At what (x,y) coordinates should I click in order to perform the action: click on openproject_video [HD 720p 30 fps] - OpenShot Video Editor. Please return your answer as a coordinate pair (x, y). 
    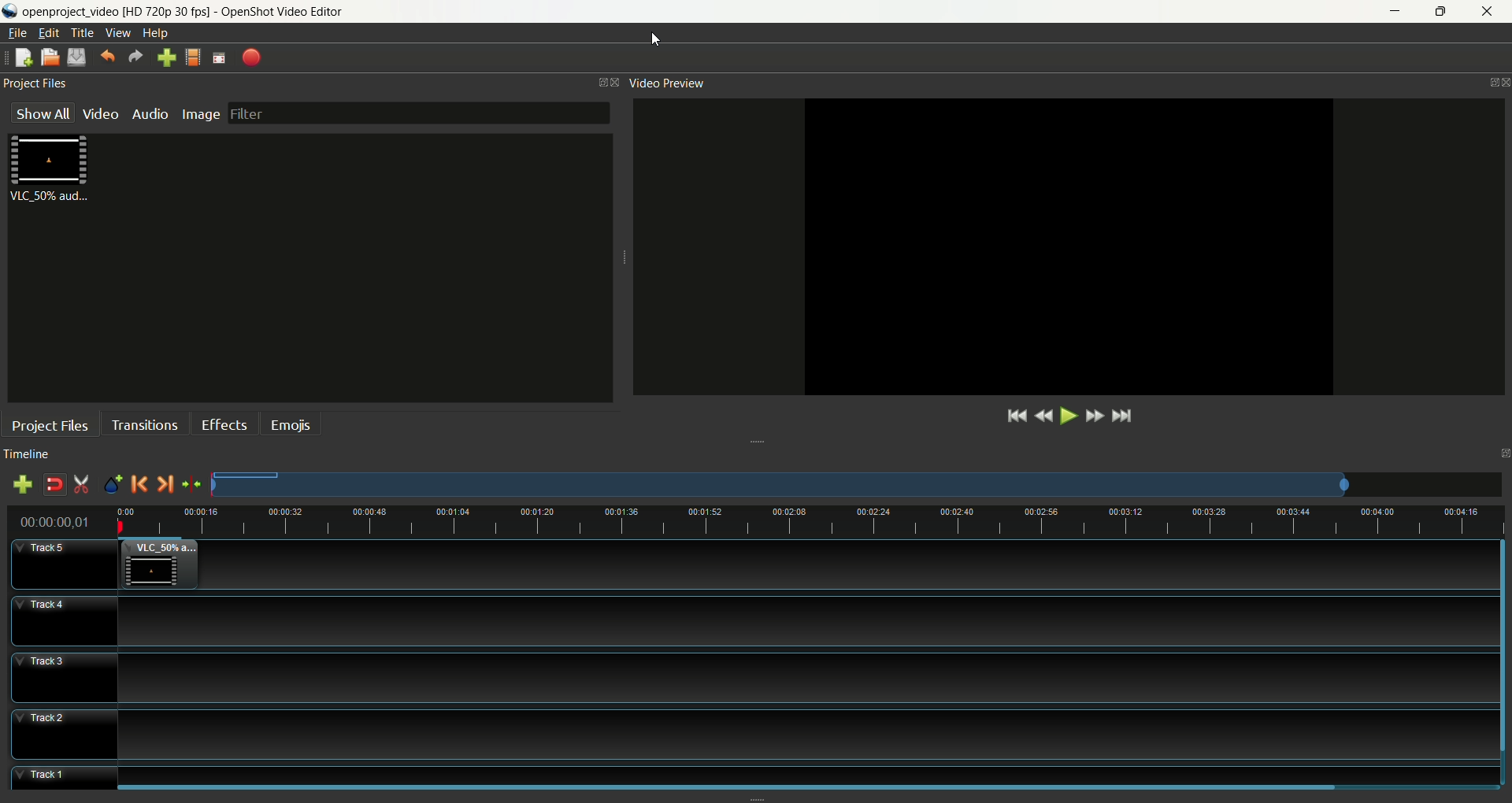
    Looking at the image, I should click on (187, 11).